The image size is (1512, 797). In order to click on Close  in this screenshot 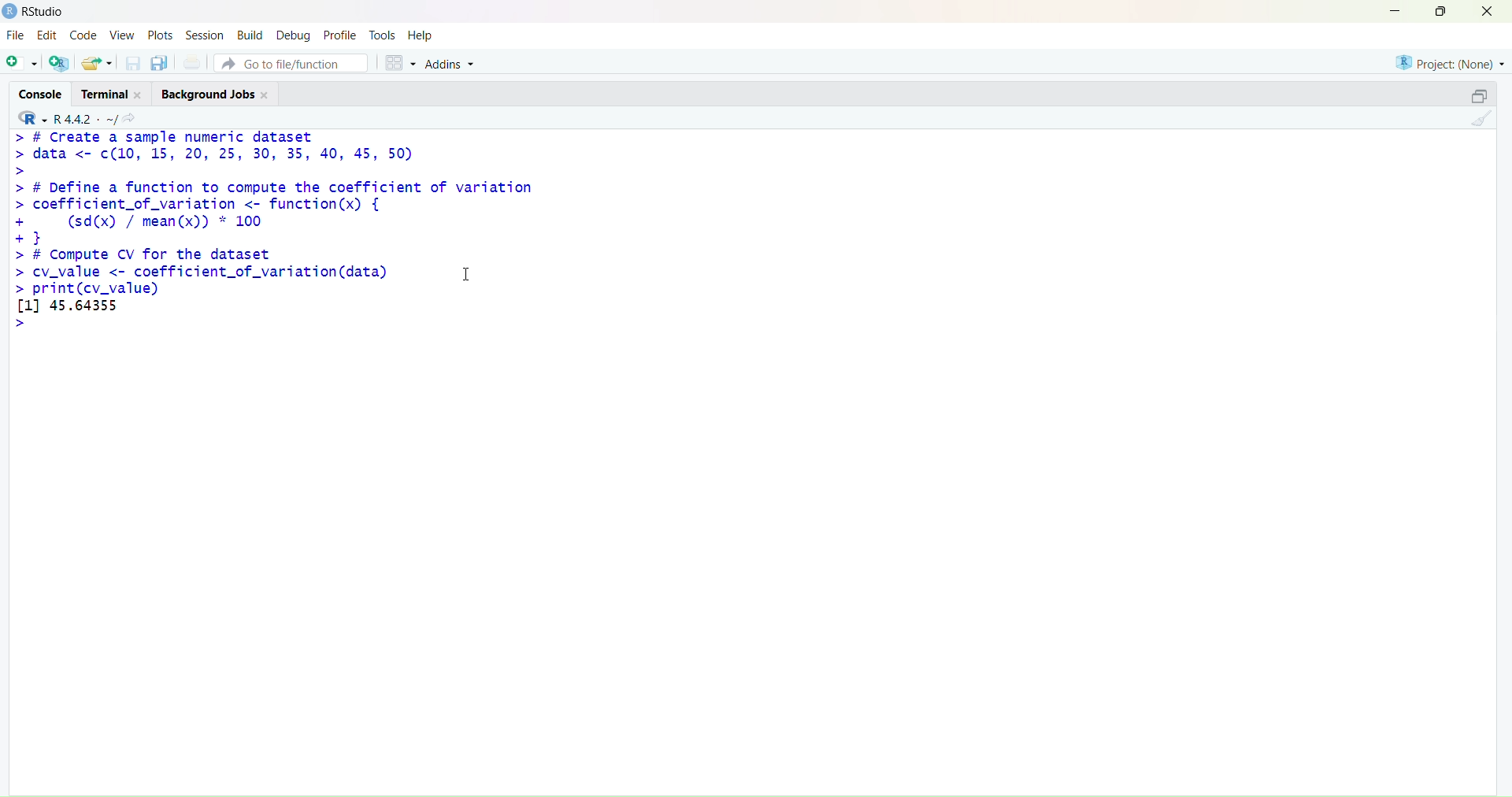, I will do `click(266, 95)`.